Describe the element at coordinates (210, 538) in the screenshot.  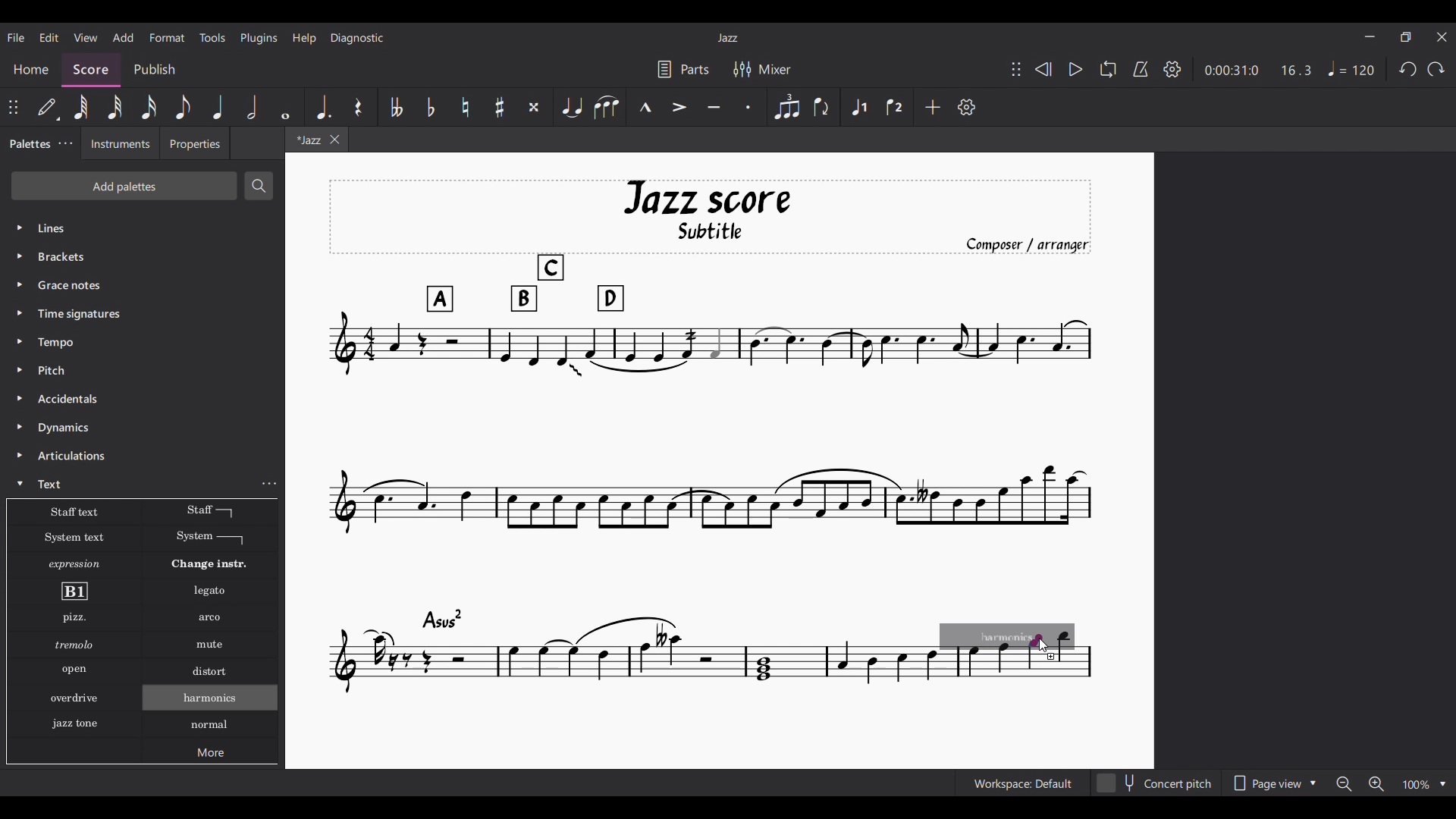
I see `System` at that location.